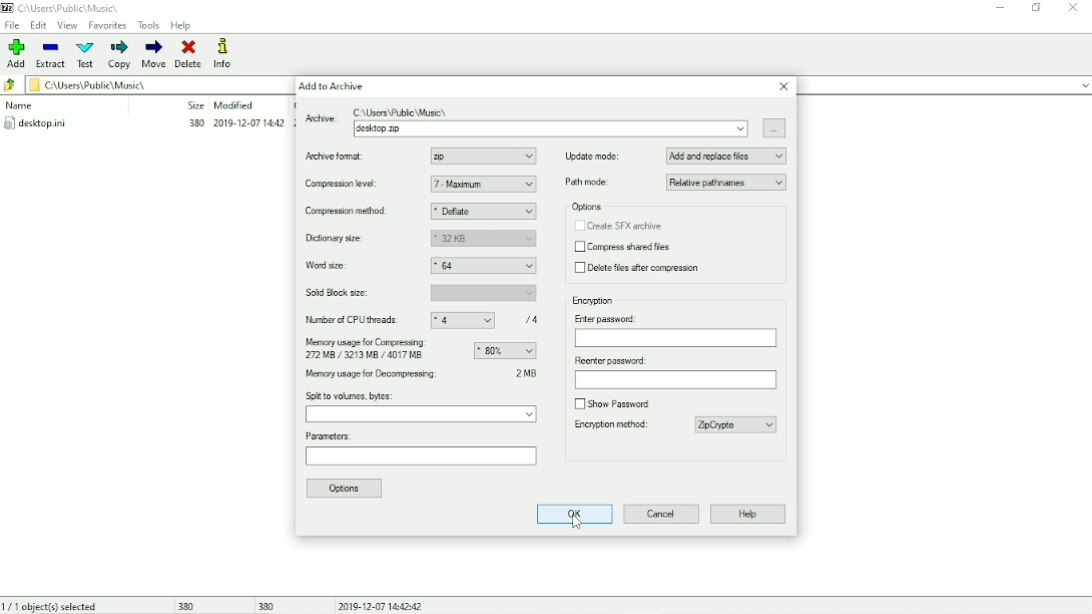  Describe the element at coordinates (346, 489) in the screenshot. I see `Options` at that location.